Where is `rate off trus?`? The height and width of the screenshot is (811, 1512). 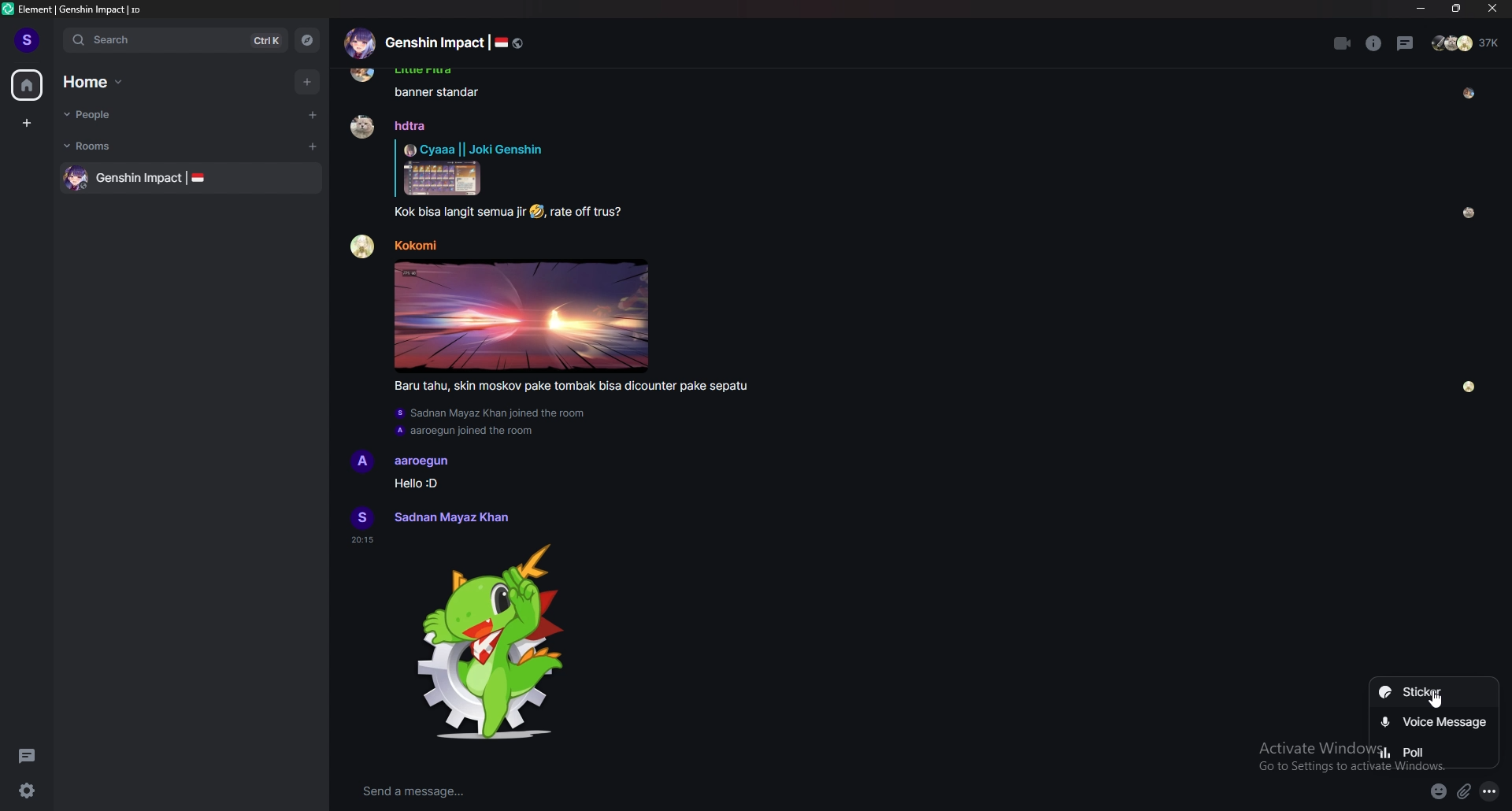
rate off trus? is located at coordinates (587, 213).